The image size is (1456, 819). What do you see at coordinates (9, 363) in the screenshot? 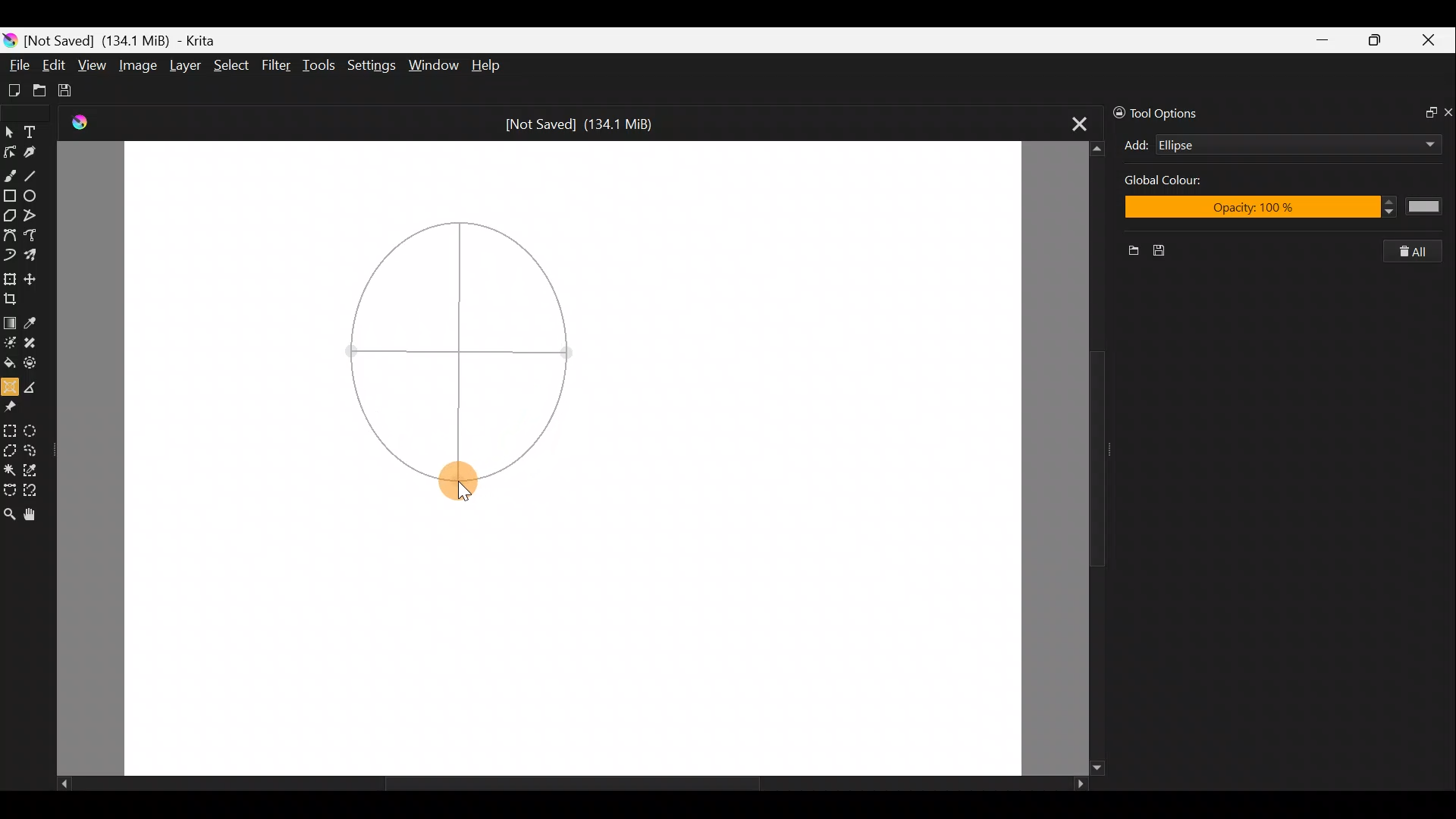
I see `Fill a contiguous area of color with color` at bounding box center [9, 363].